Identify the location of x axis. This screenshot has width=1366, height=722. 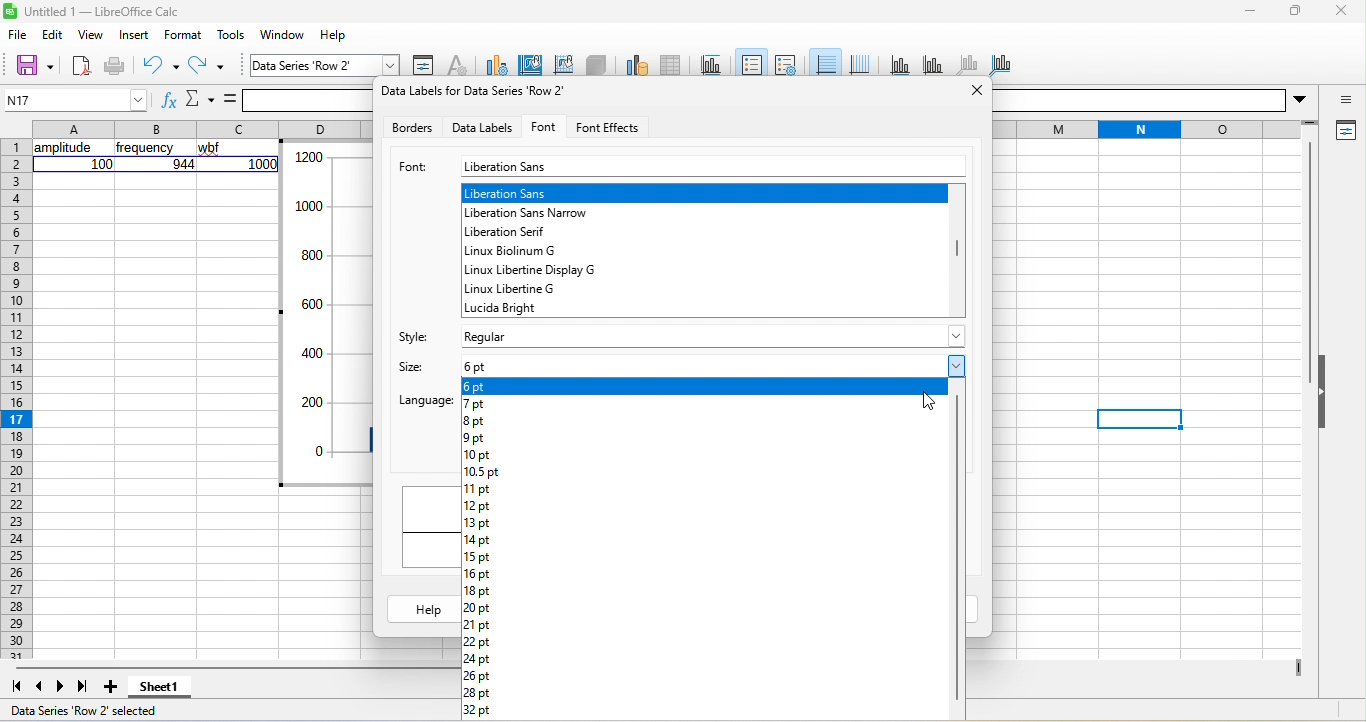
(903, 62).